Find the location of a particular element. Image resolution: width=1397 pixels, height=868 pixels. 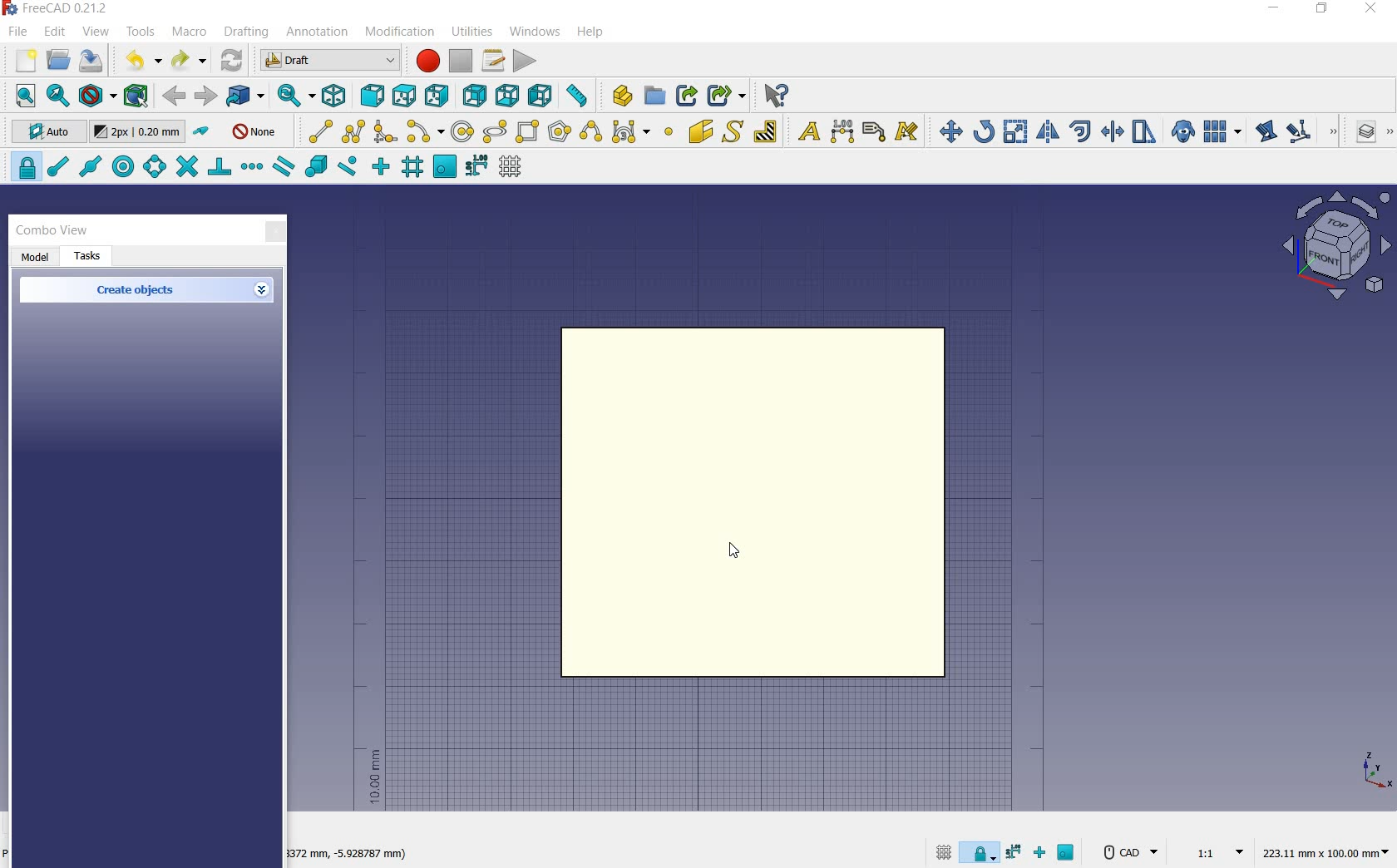

create objects is located at coordinates (138, 291).